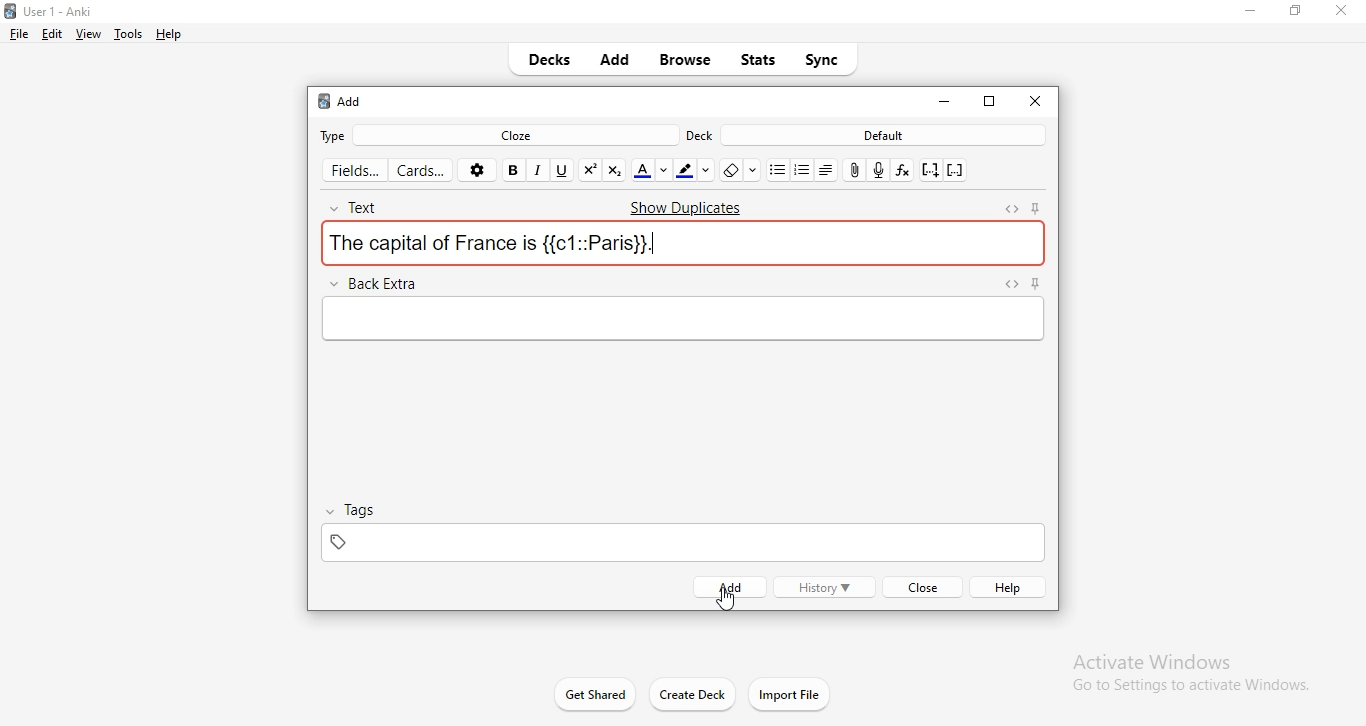 Image resolution: width=1366 pixels, height=726 pixels. Describe the element at coordinates (555, 61) in the screenshot. I see `decks` at that location.